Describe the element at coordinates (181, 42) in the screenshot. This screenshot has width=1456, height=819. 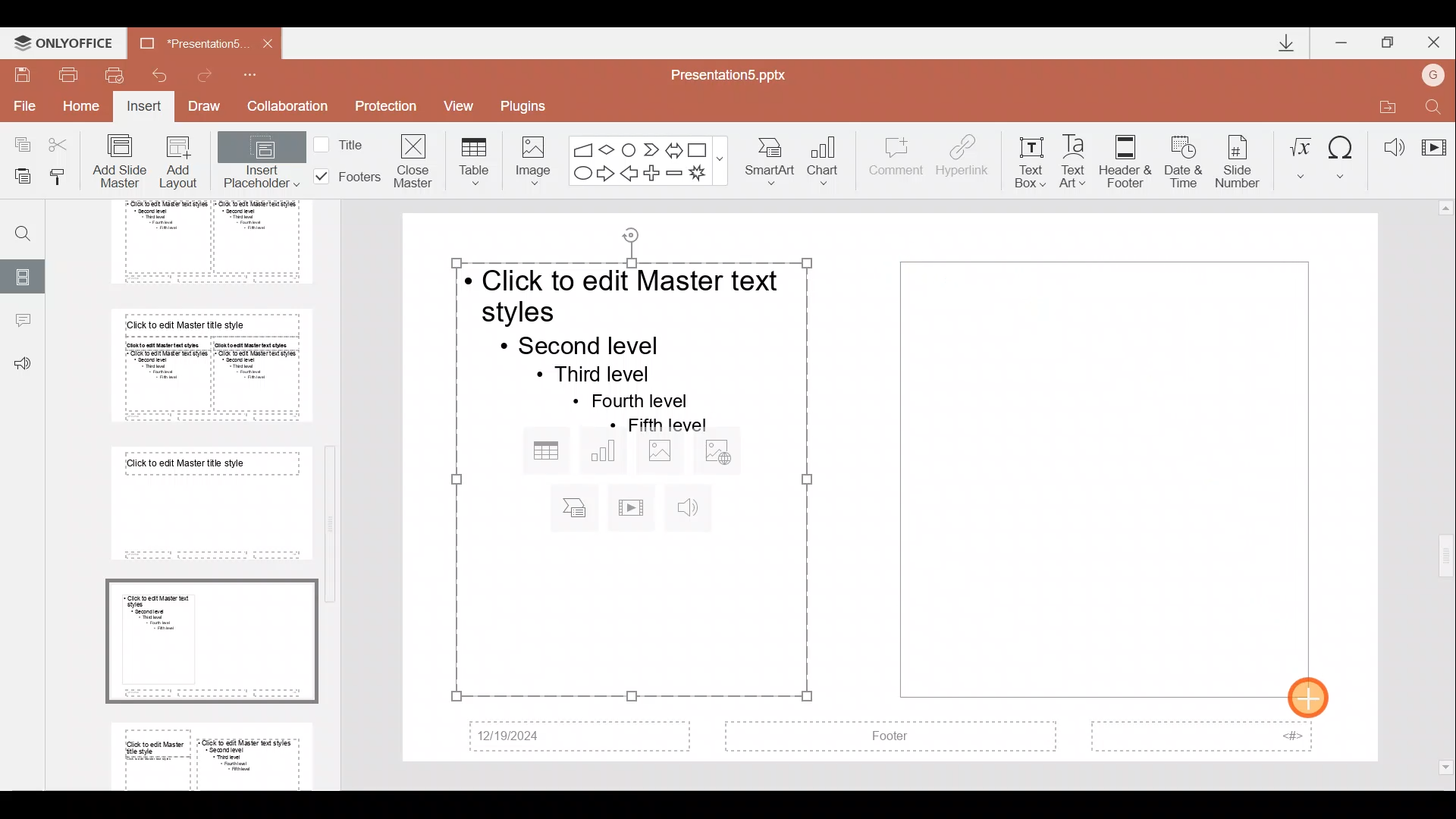
I see `Document name` at that location.